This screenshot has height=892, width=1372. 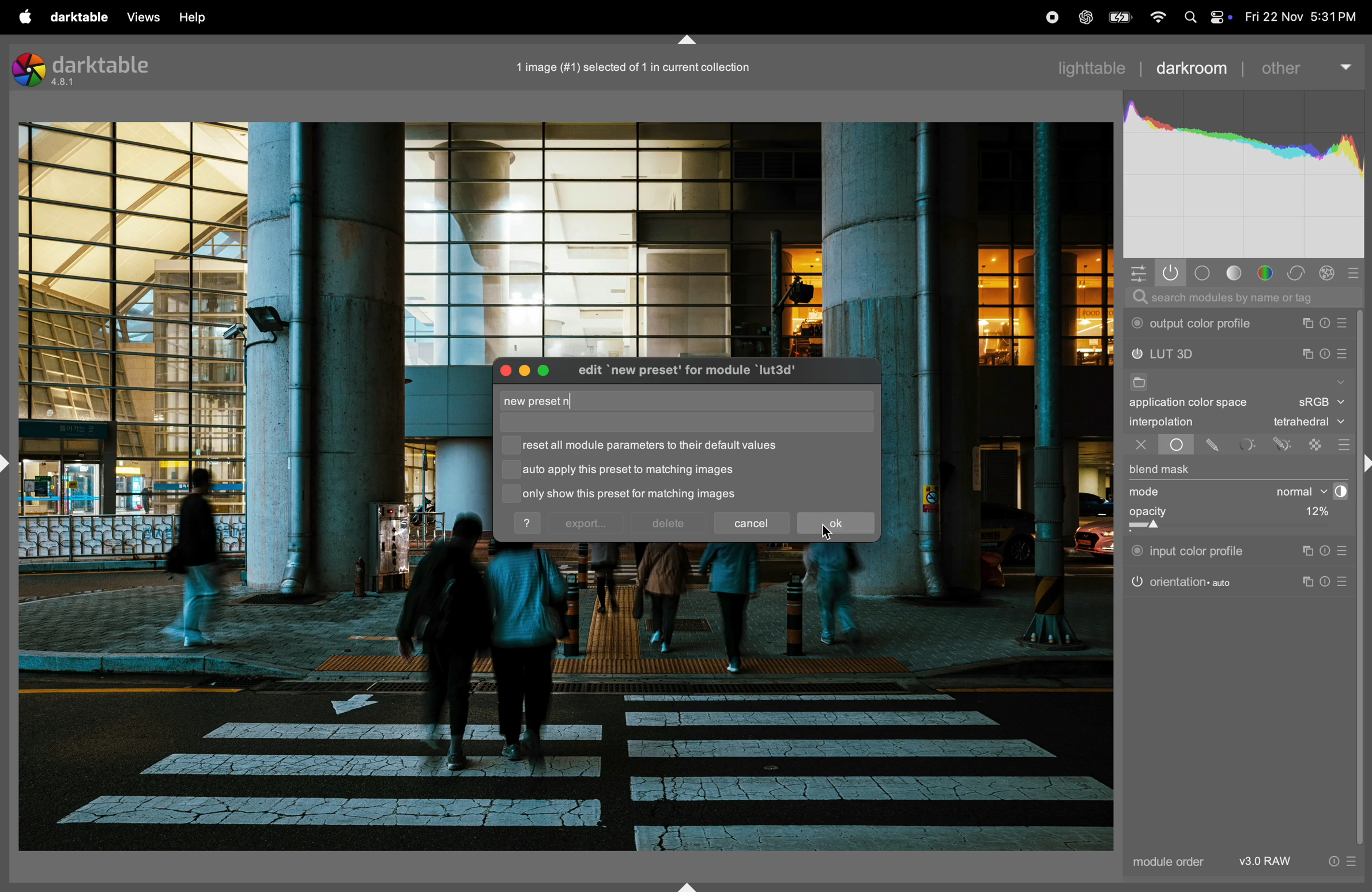 I want to click on close, so click(x=504, y=370).